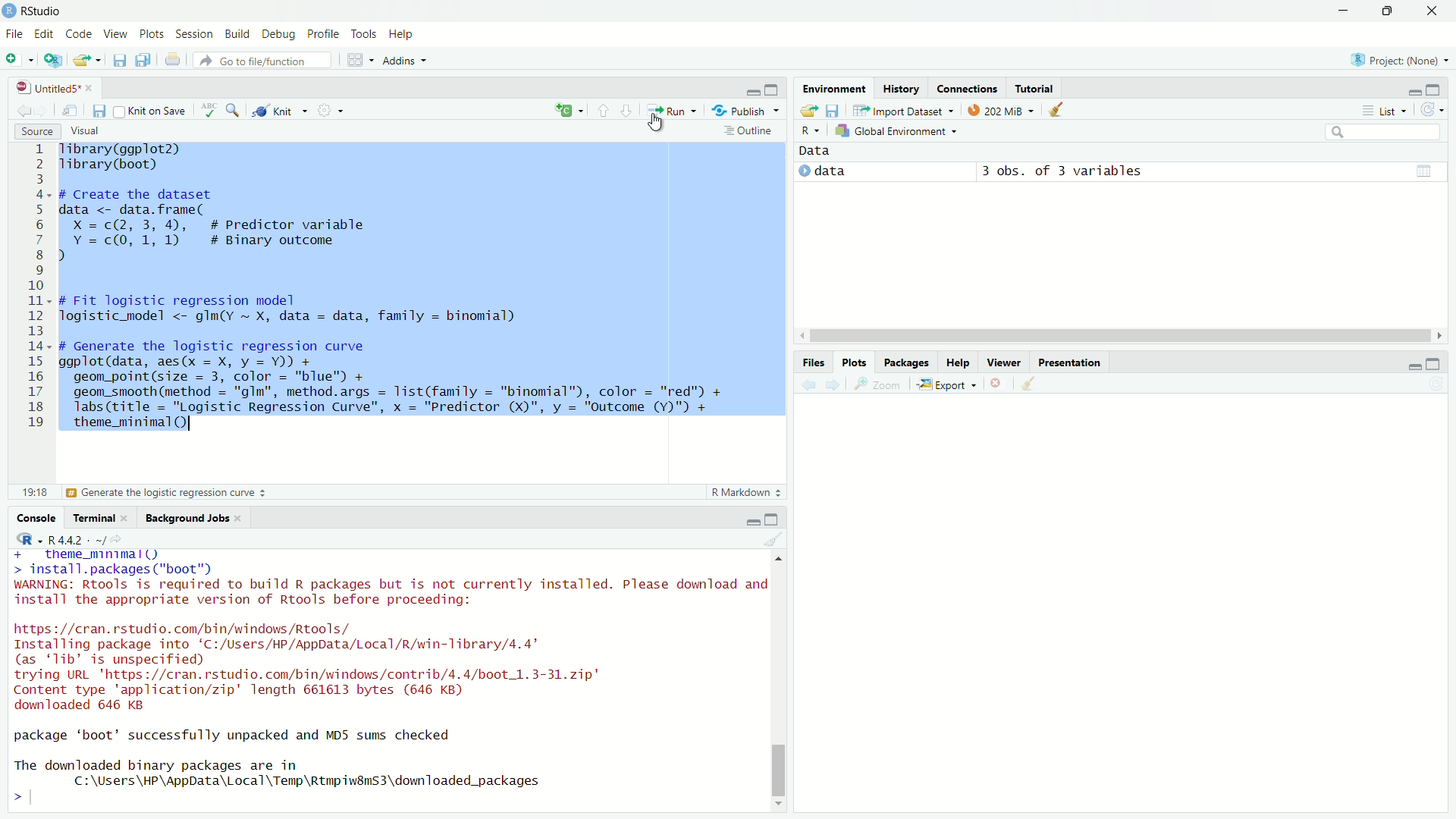 Image resolution: width=1456 pixels, height=819 pixels. I want to click on restore, so click(1389, 11).